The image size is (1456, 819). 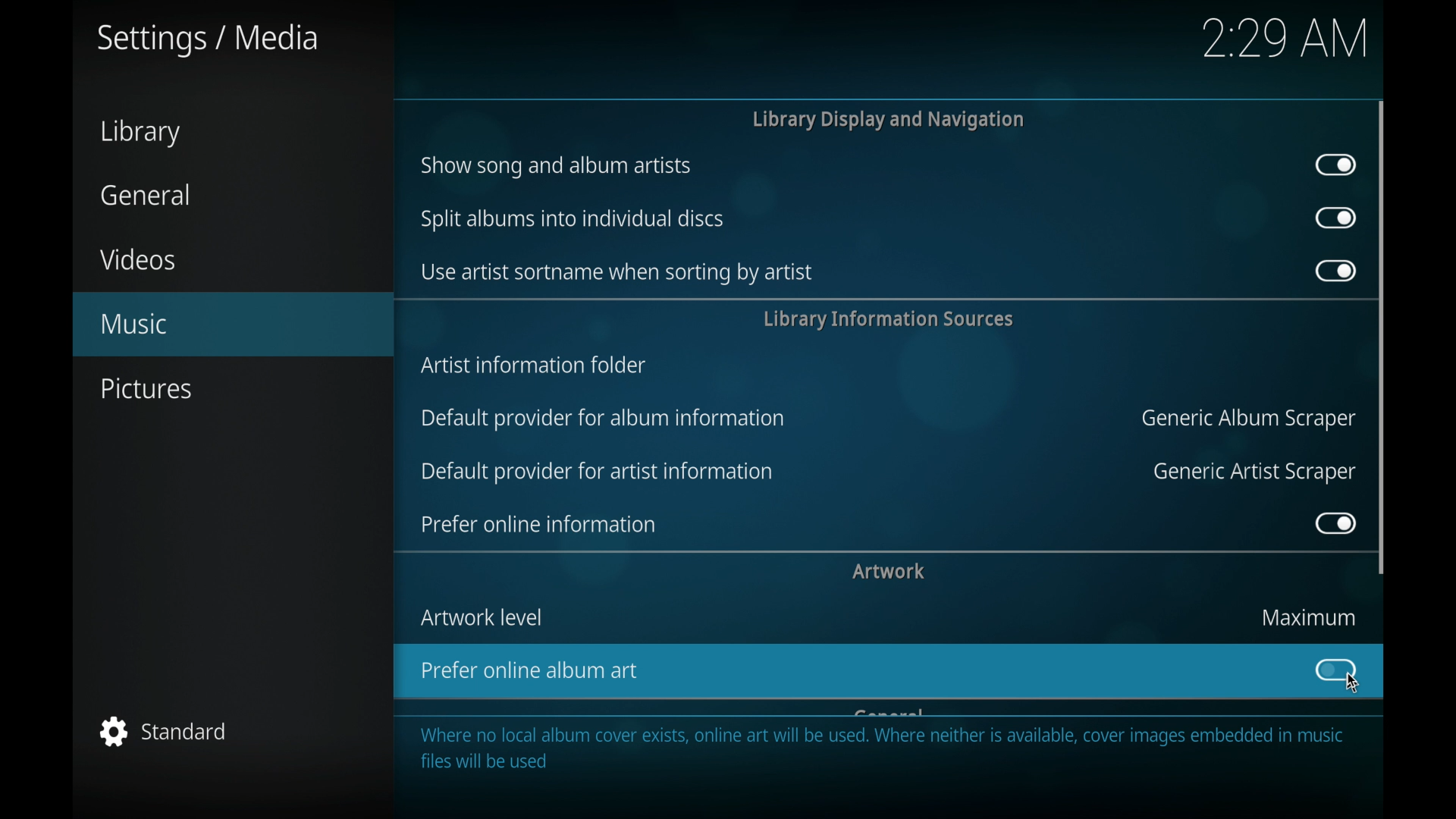 What do you see at coordinates (1335, 271) in the screenshot?
I see `toggle button` at bounding box center [1335, 271].